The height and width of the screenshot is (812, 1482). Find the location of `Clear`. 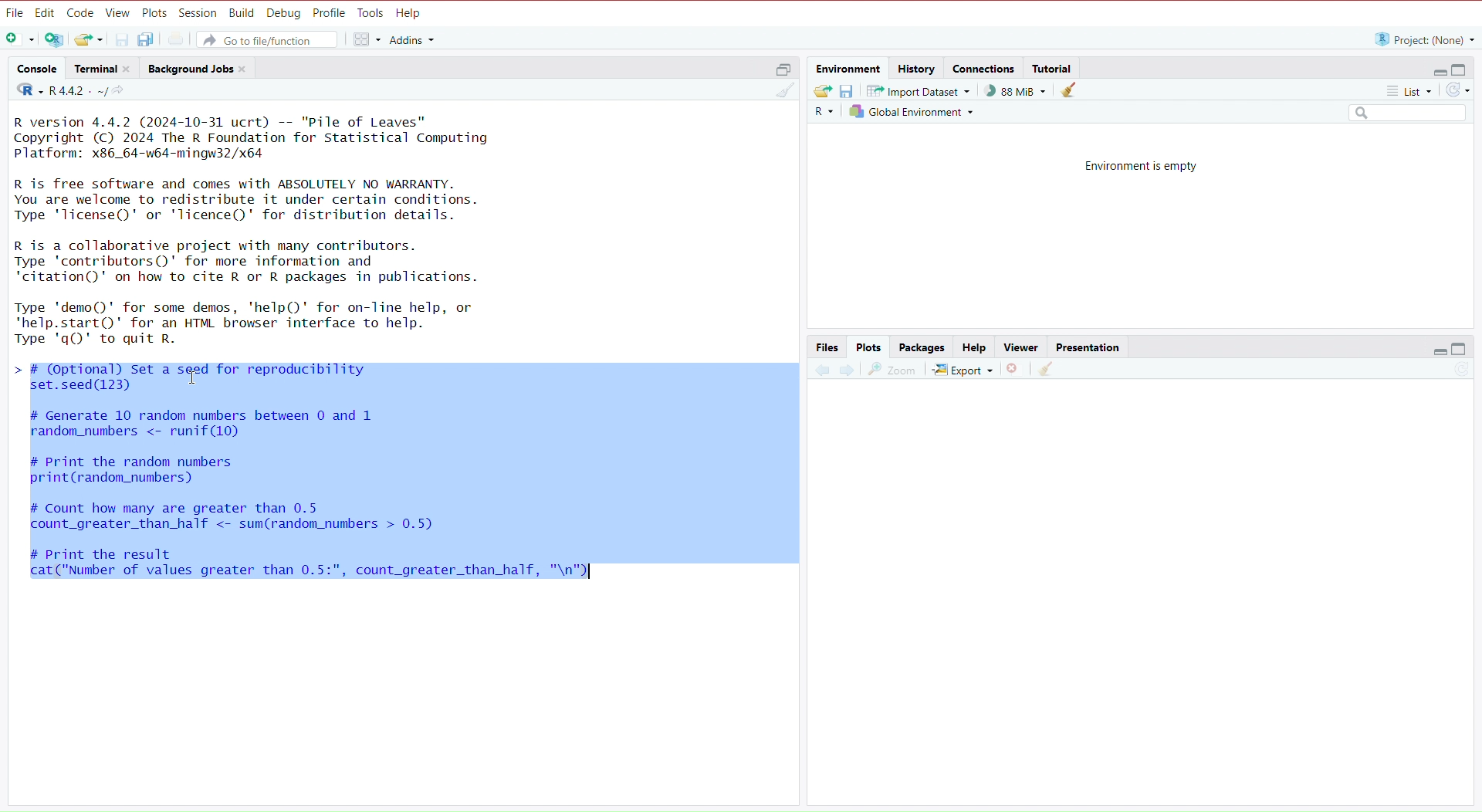

Clear is located at coordinates (1069, 90).